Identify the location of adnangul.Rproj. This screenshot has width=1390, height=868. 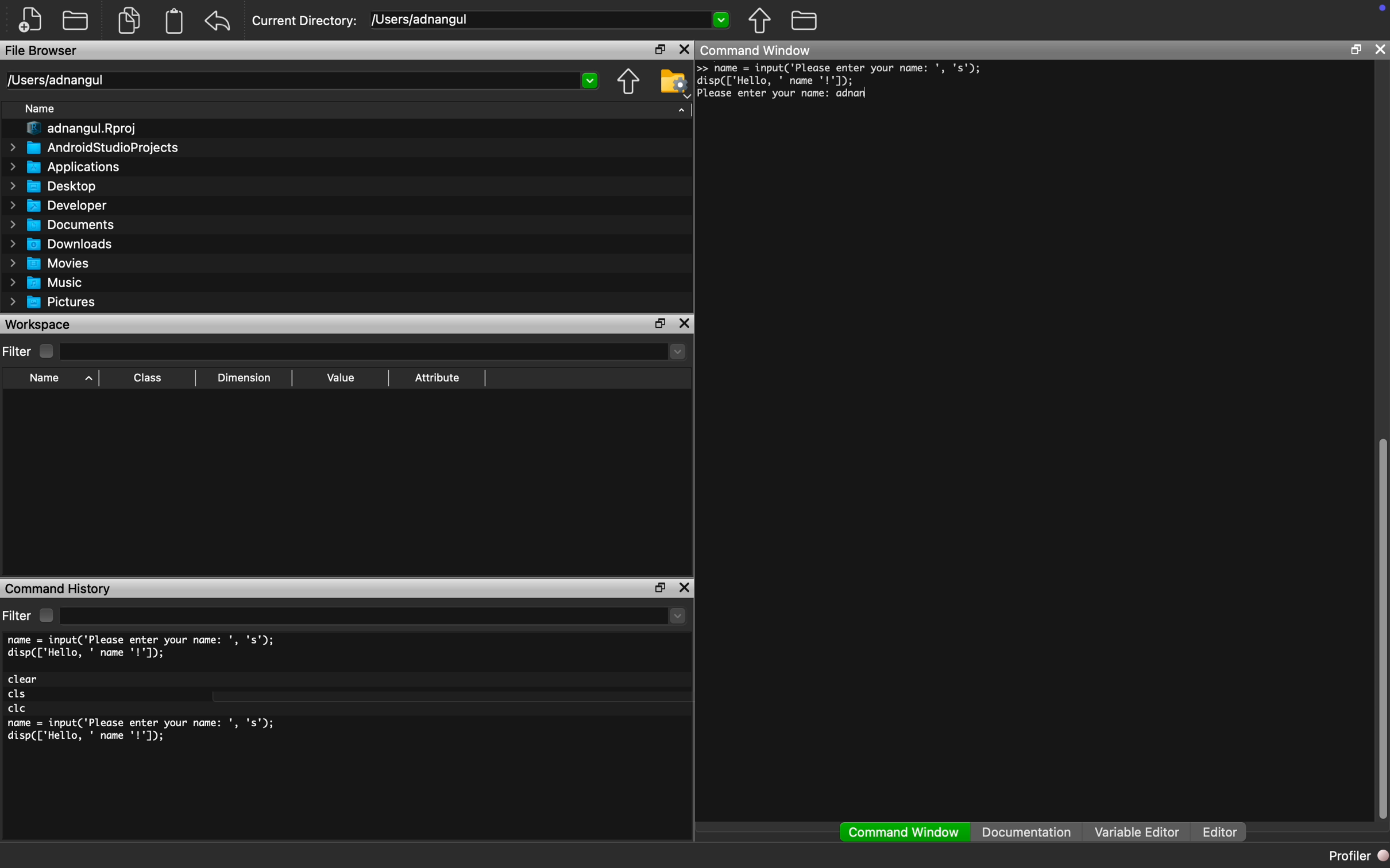
(83, 129).